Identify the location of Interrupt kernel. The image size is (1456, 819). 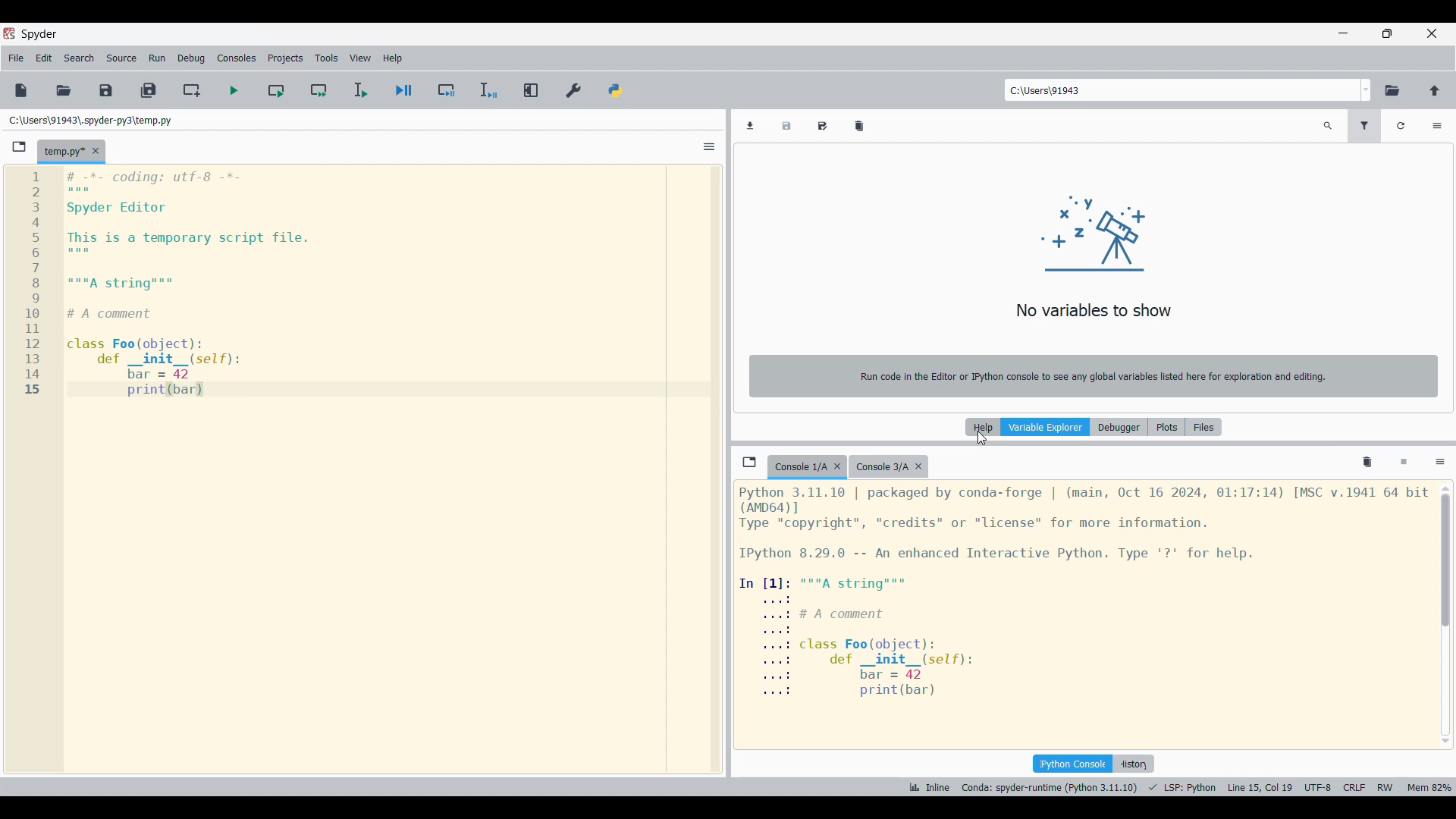
(1404, 463).